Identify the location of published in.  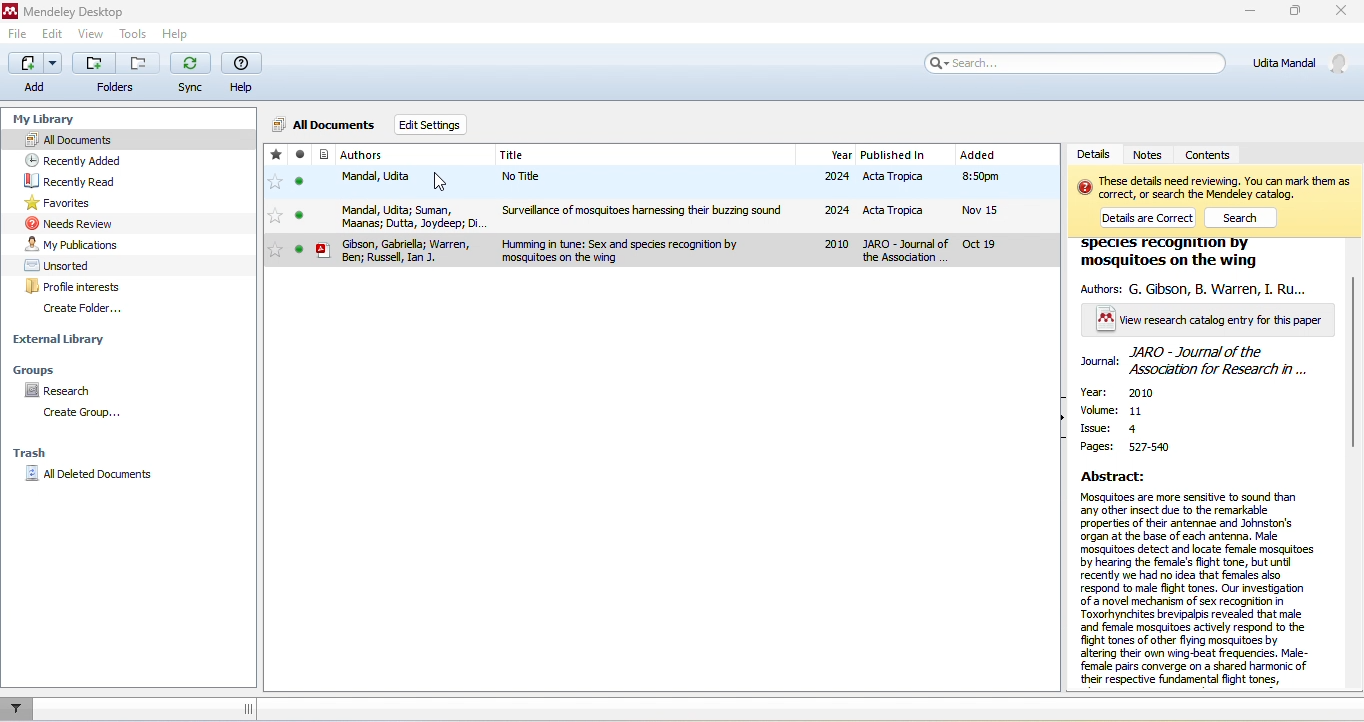
(908, 155).